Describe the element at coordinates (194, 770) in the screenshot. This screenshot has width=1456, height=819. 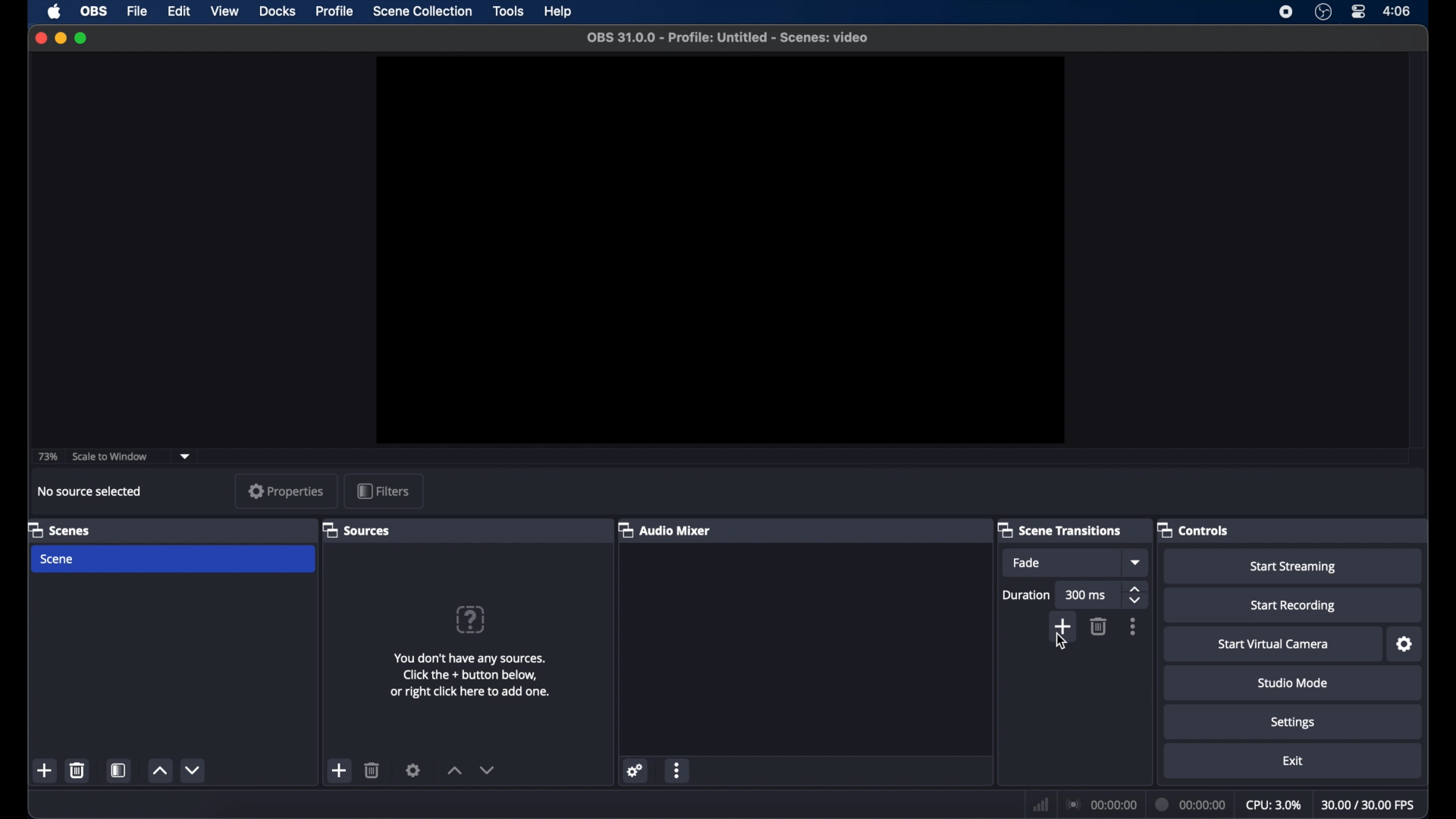
I see `decrement` at that location.